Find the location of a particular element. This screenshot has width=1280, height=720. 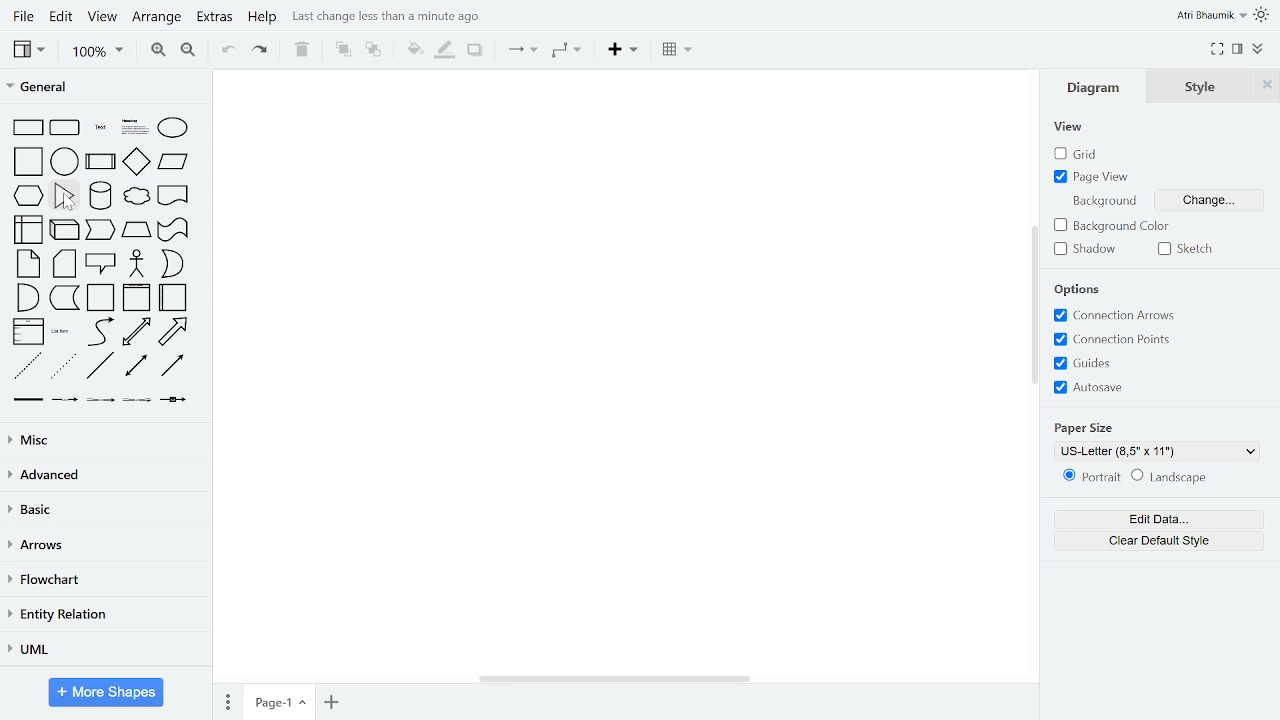

waypoints is located at coordinates (565, 52).